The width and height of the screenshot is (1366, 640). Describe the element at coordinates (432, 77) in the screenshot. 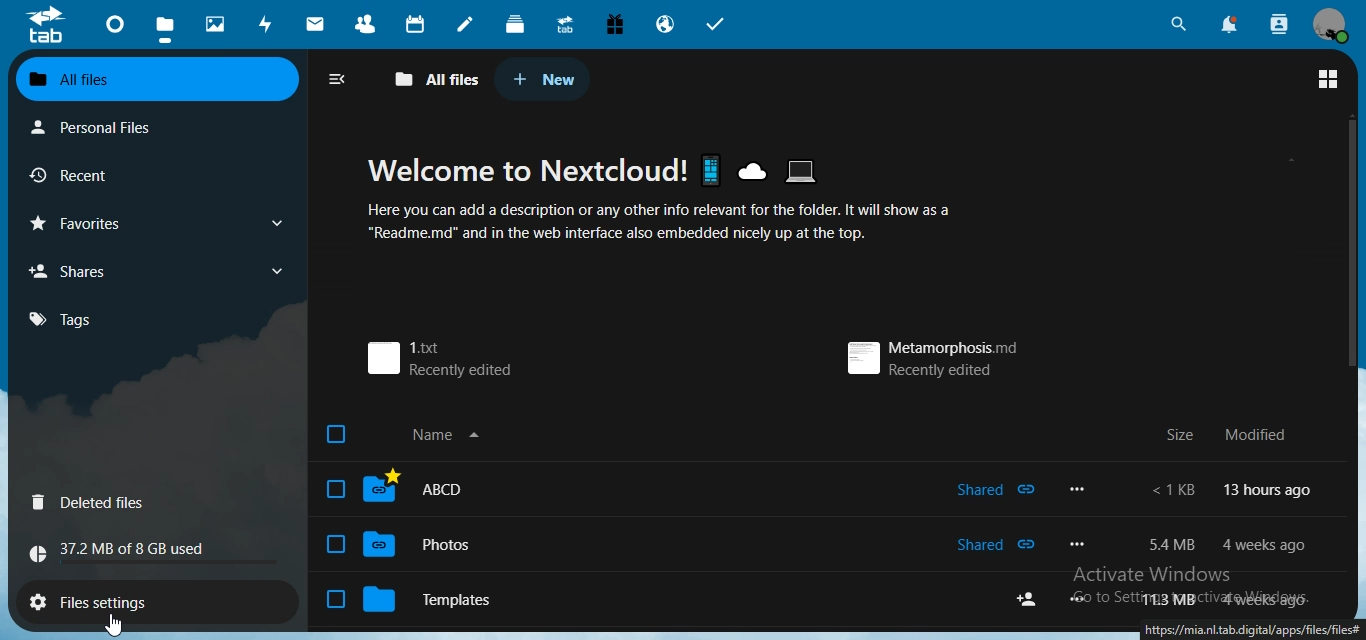

I see `all files` at that location.